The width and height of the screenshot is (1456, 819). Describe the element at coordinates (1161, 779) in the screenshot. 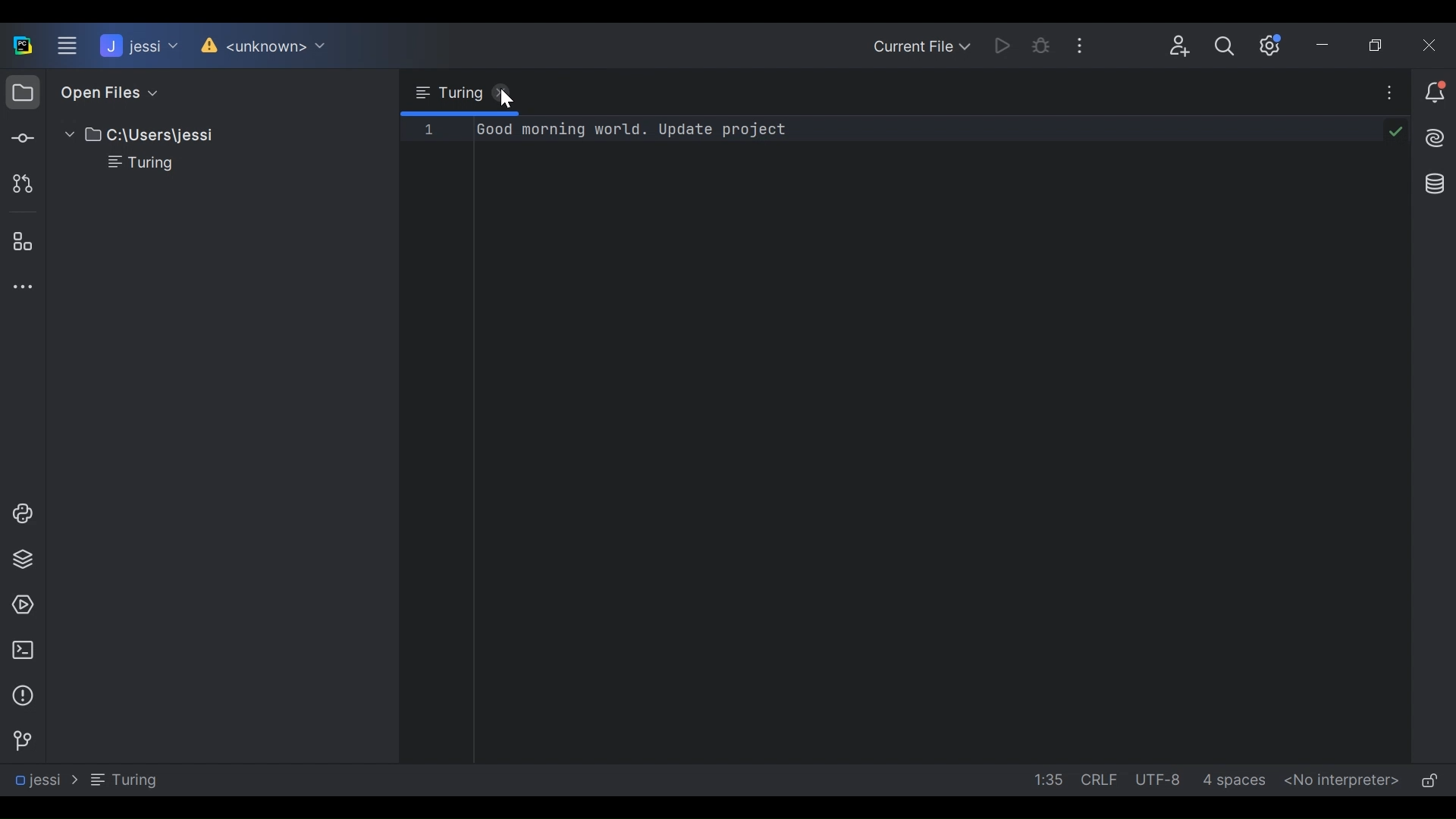

I see `File Encoding` at that location.